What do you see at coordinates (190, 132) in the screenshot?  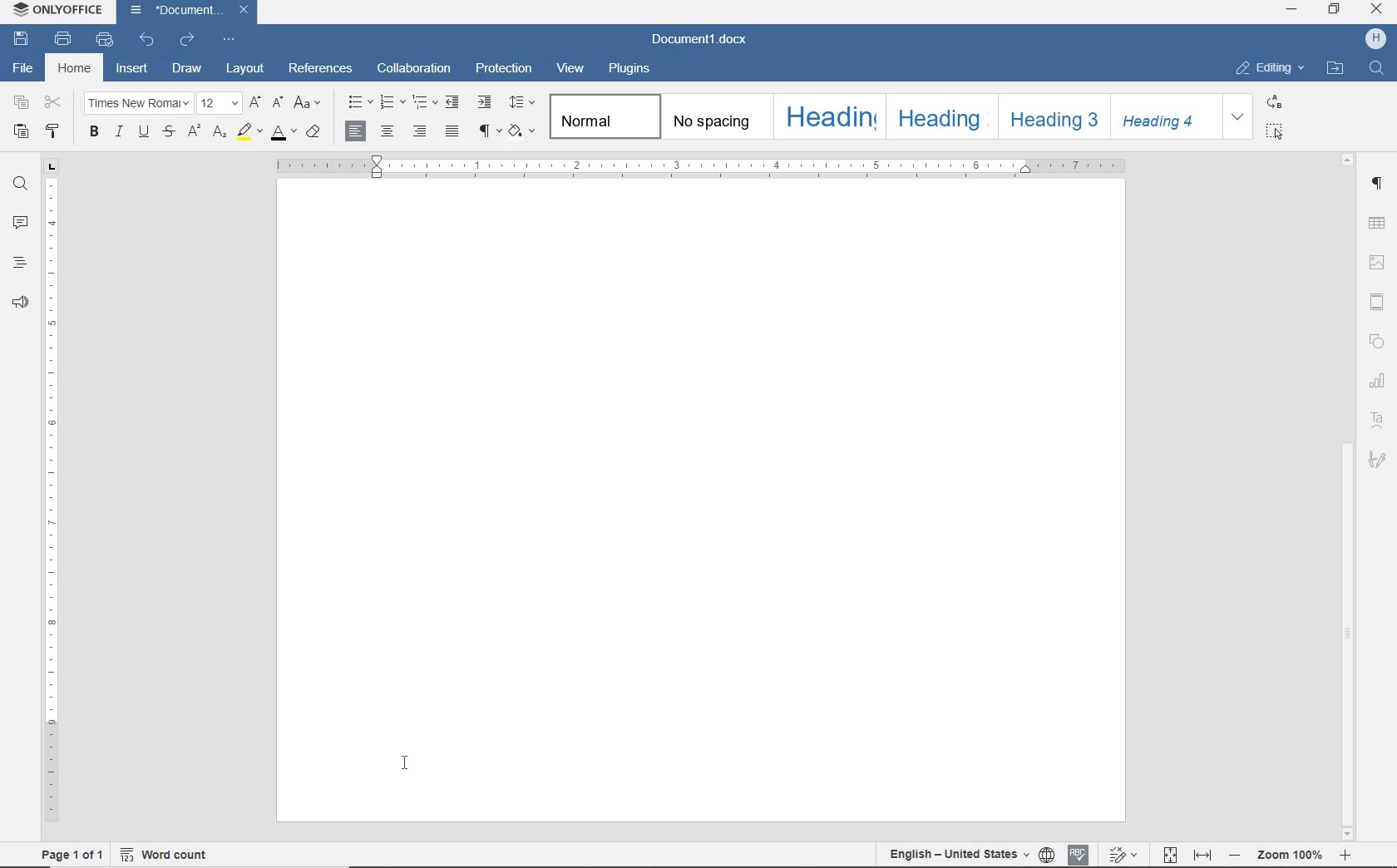 I see `SUPERSCRIPT` at bounding box center [190, 132].